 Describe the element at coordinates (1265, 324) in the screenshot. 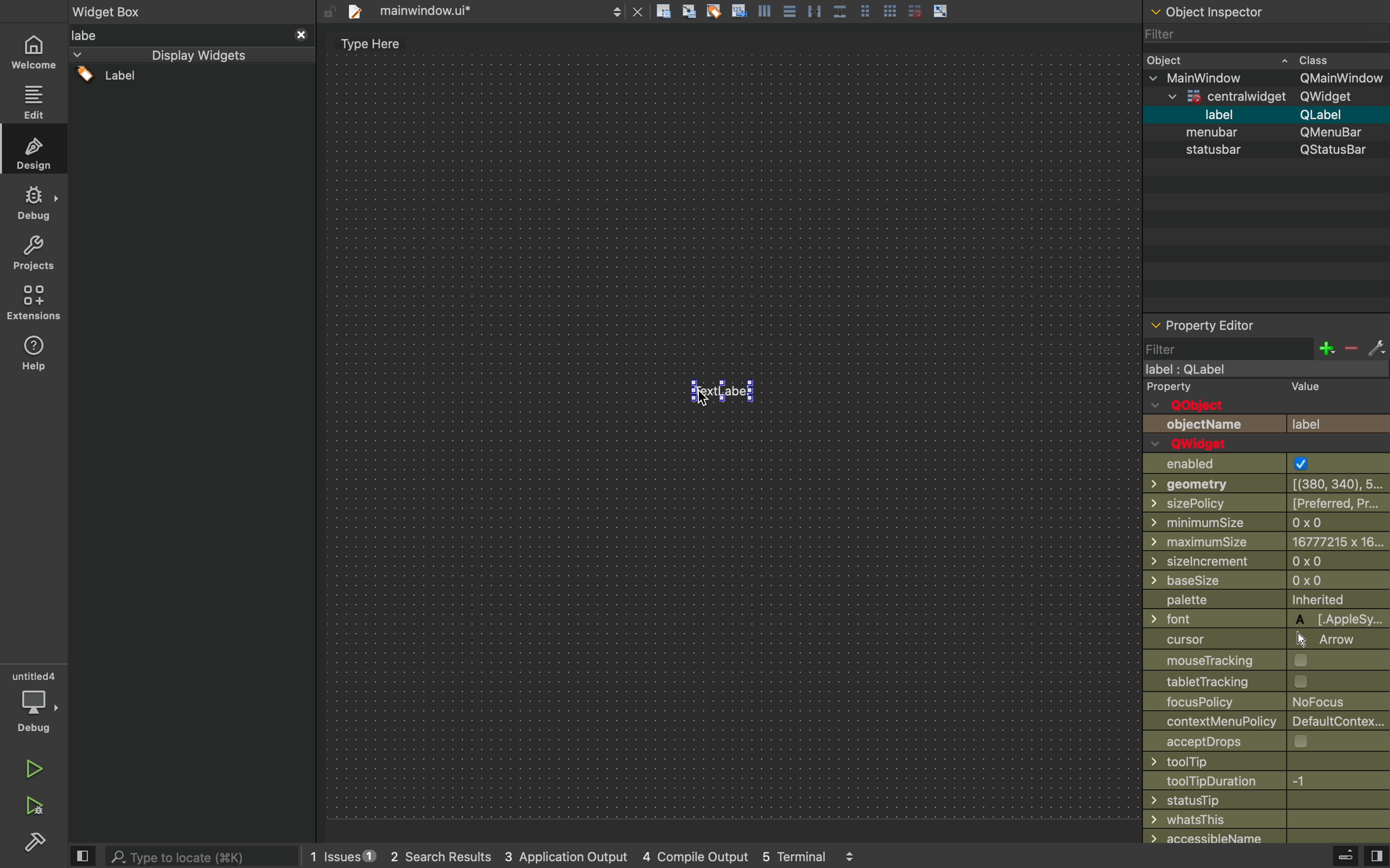

I see `properties of selected widget ` at that location.